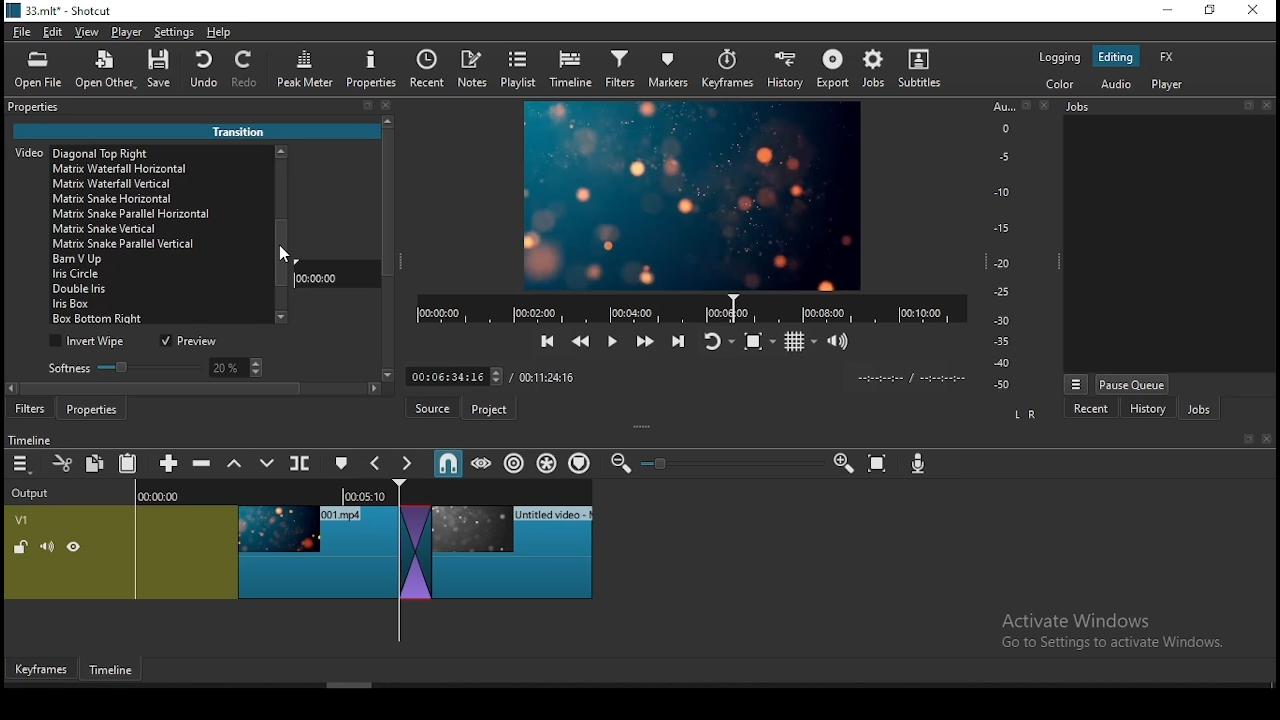 This screenshot has height=720, width=1280. Describe the element at coordinates (579, 339) in the screenshot. I see `play quickly backward` at that location.